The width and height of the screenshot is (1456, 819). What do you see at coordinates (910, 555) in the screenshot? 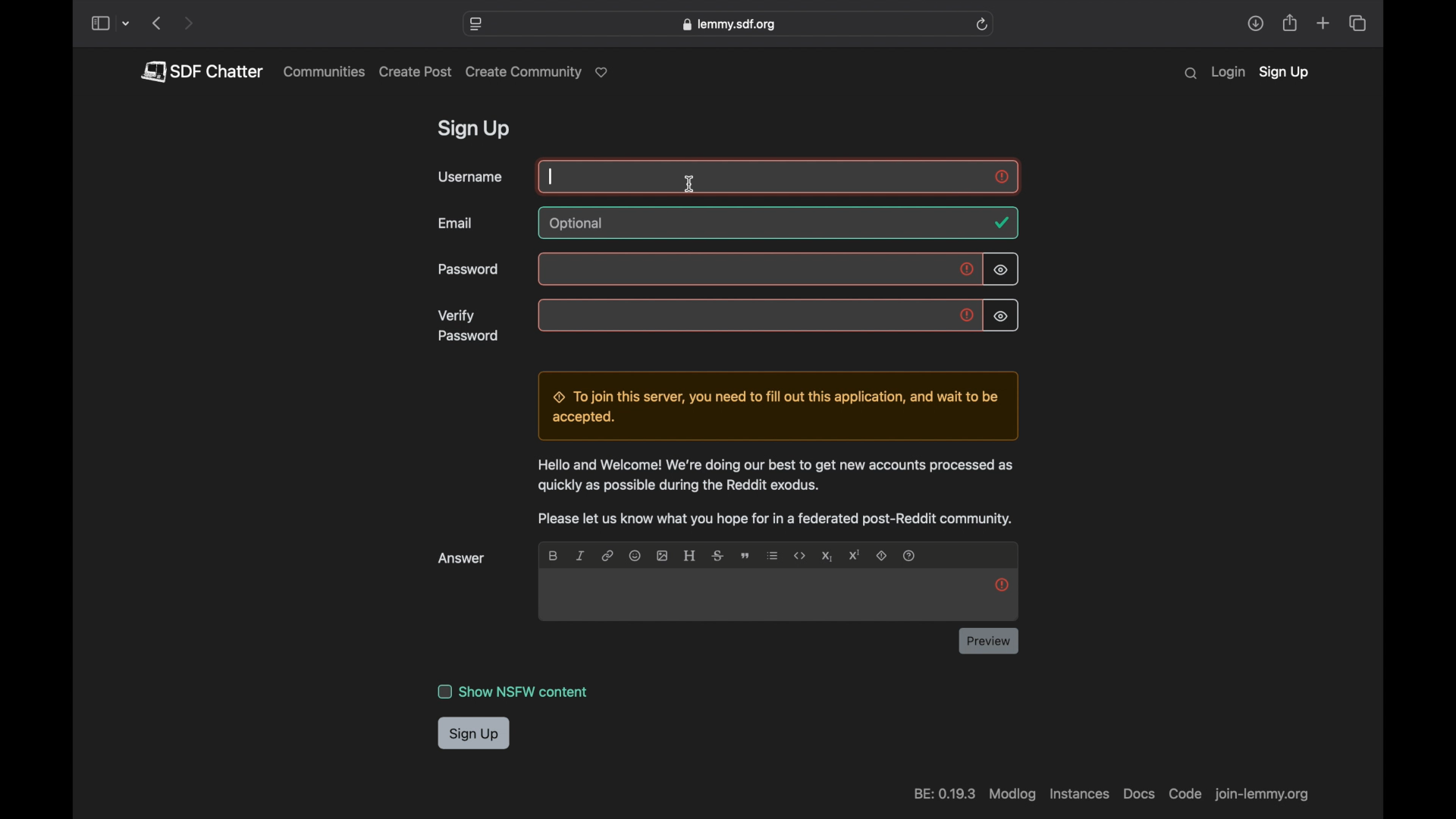
I see `question mark` at bounding box center [910, 555].